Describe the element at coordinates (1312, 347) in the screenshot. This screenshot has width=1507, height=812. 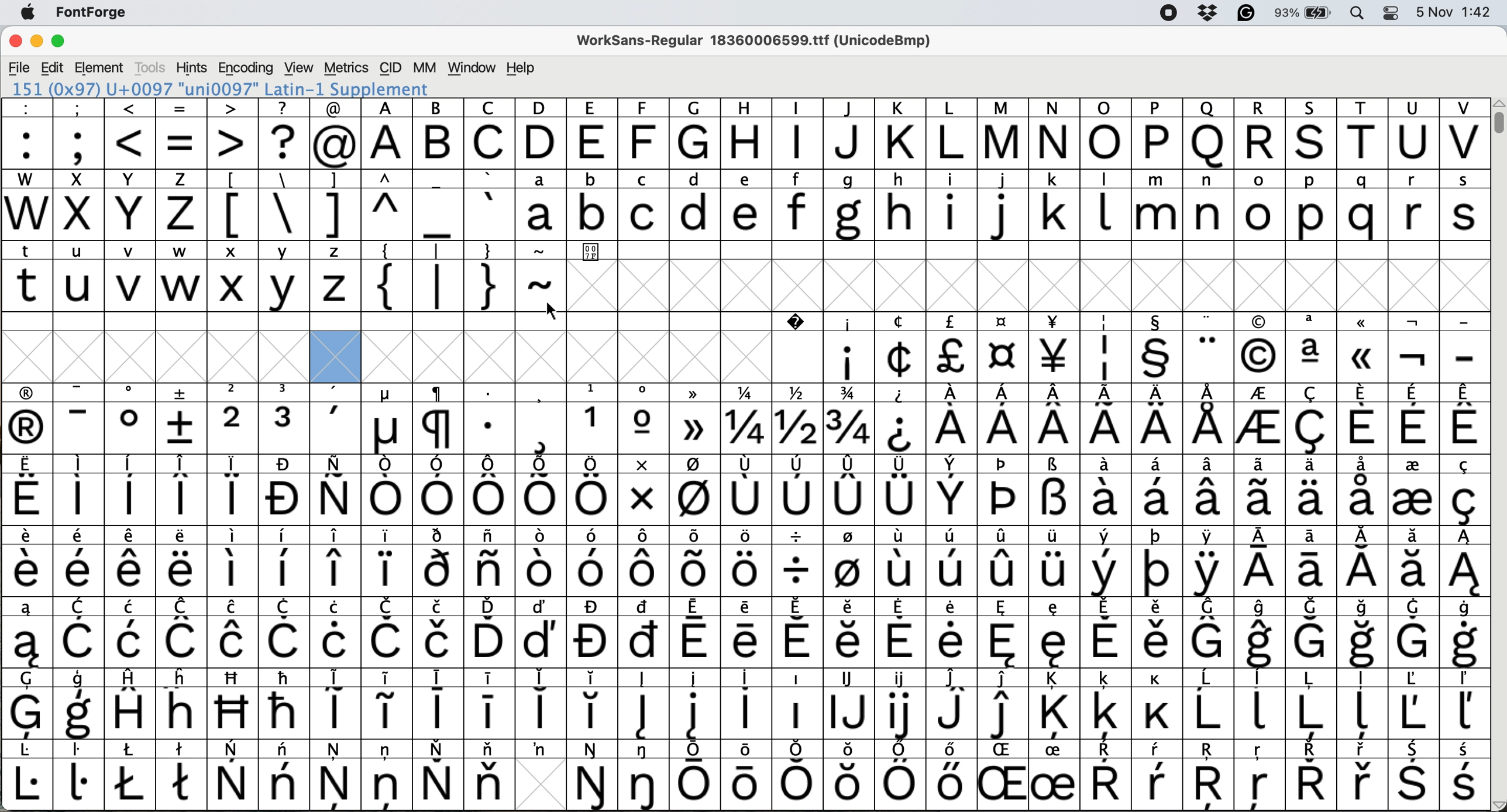
I see `symbol` at that location.